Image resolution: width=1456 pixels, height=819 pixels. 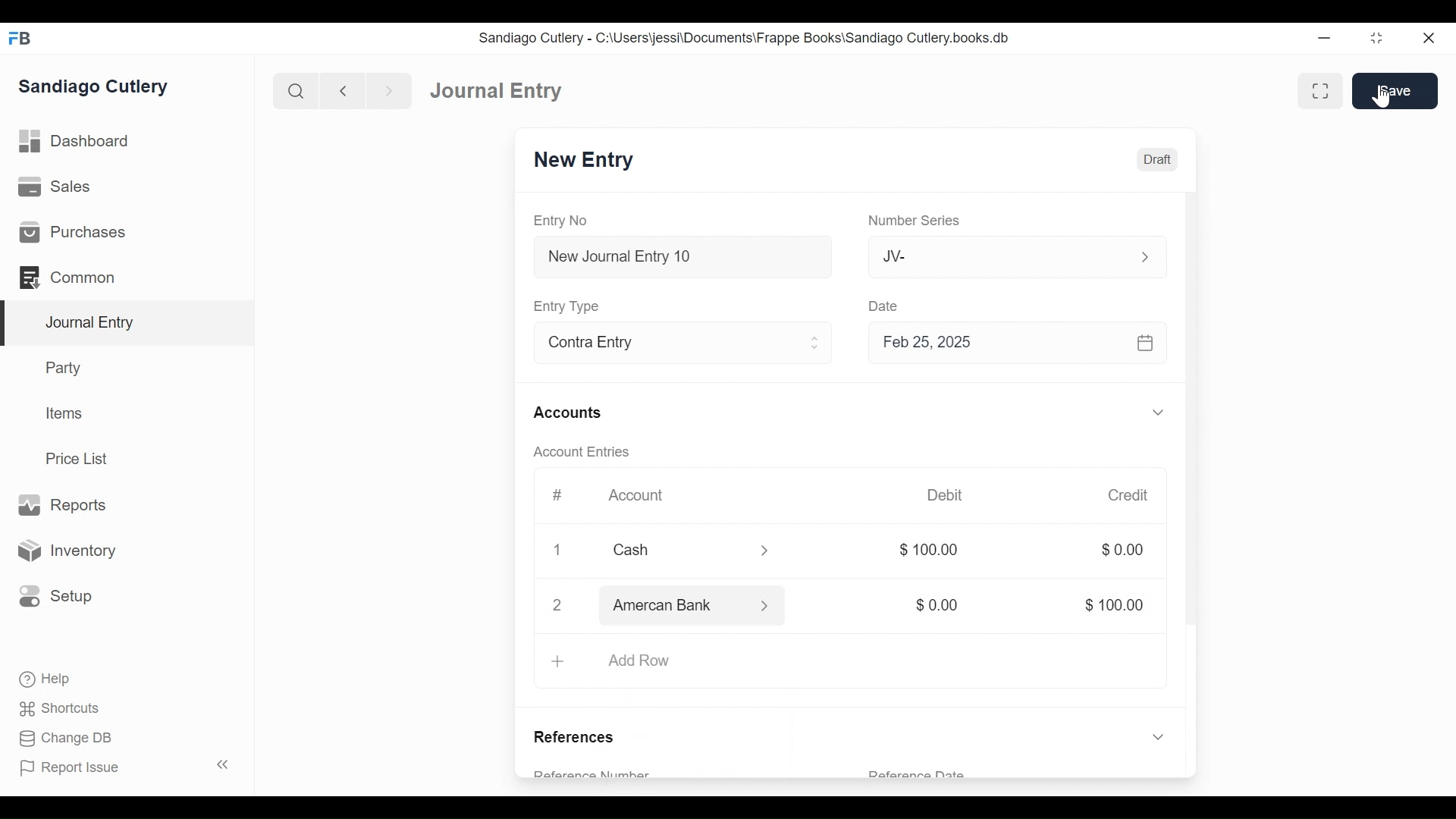 I want to click on References, so click(x=575, y=739).